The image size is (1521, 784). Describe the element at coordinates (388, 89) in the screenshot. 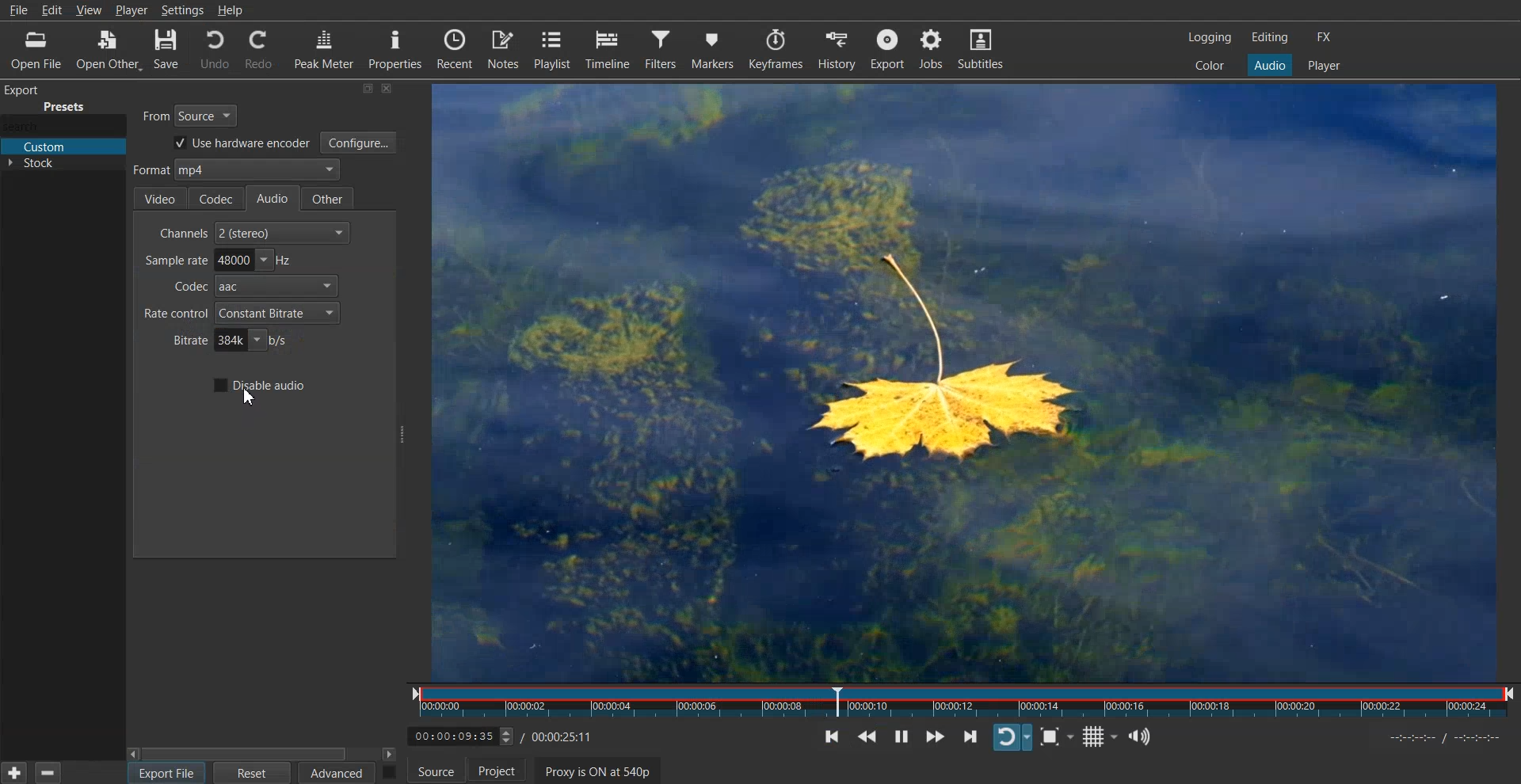

I see `Close` at that location.